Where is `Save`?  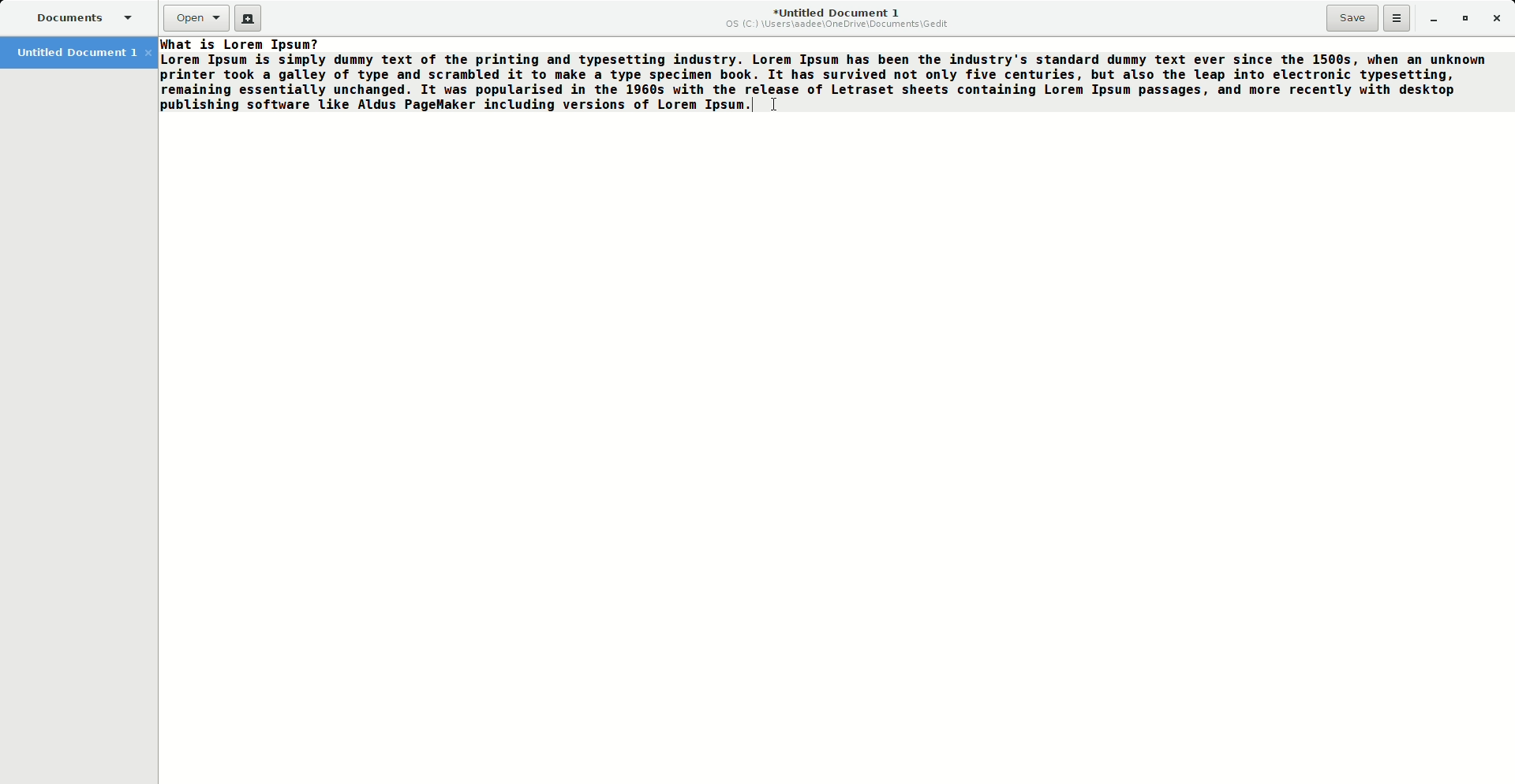
Save is located at coordinates (1352, 18).